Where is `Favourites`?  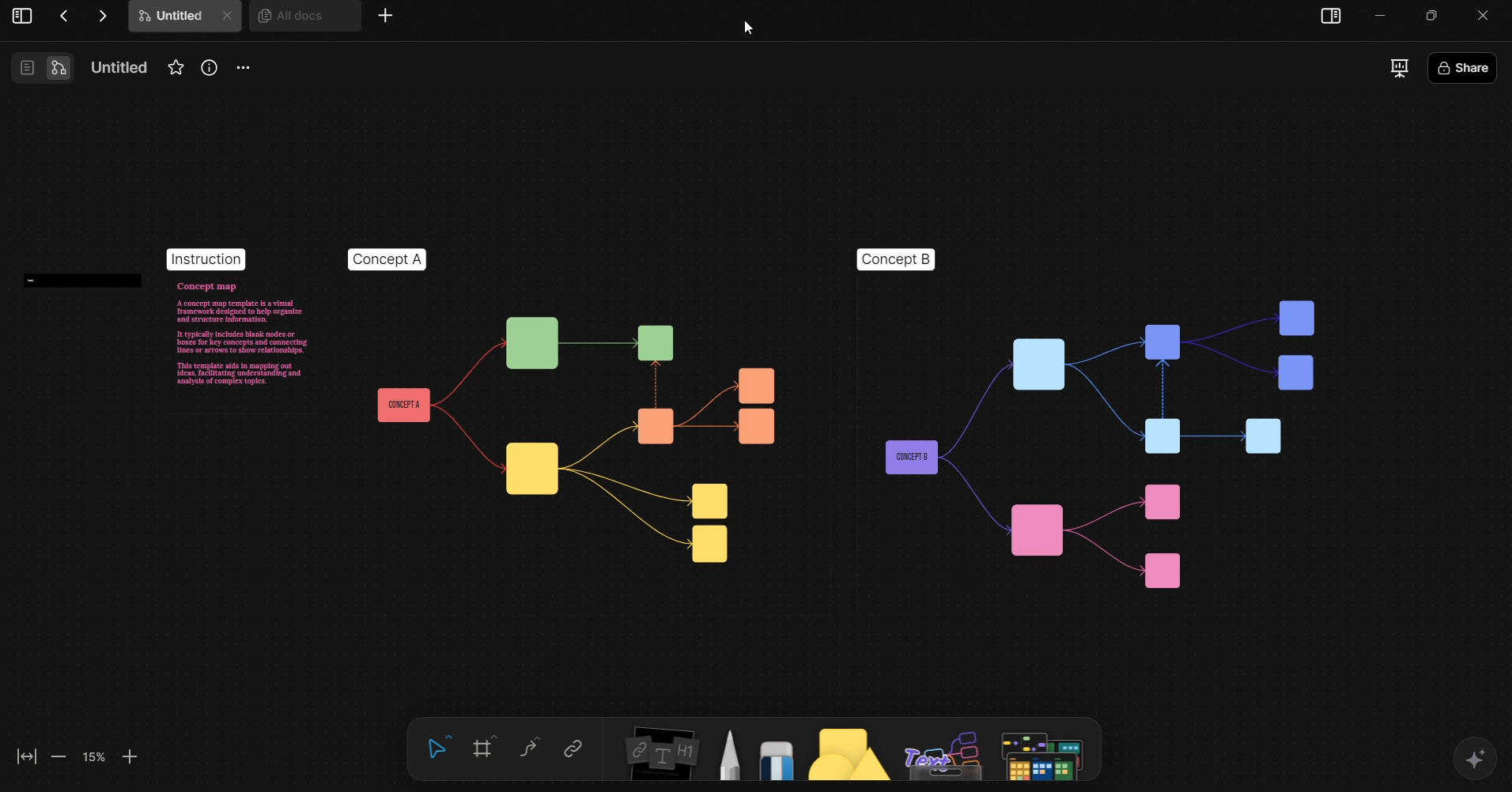 Favourites is located at coordinates (175, 66).